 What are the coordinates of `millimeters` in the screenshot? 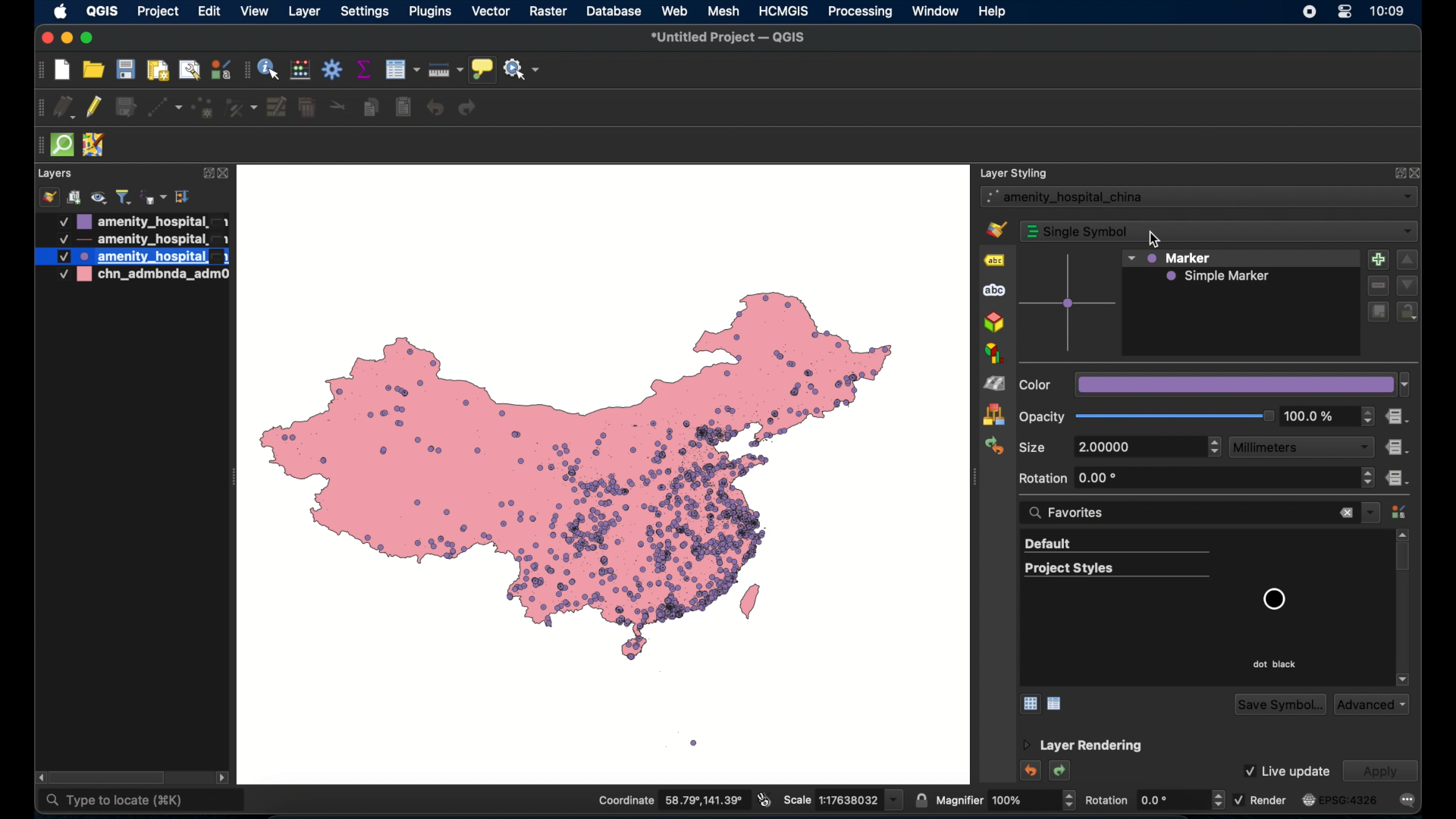 It's located at (1302, 447).